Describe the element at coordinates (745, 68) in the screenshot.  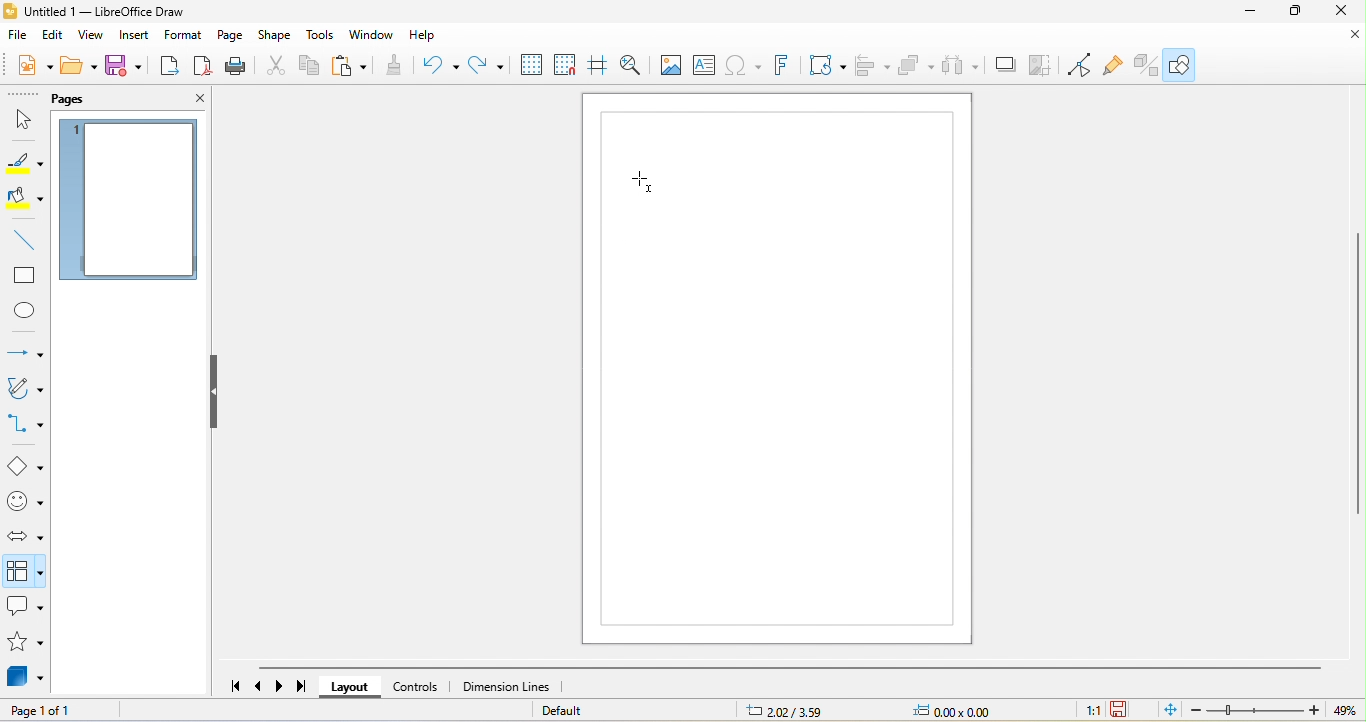
I see `special character` at that location.